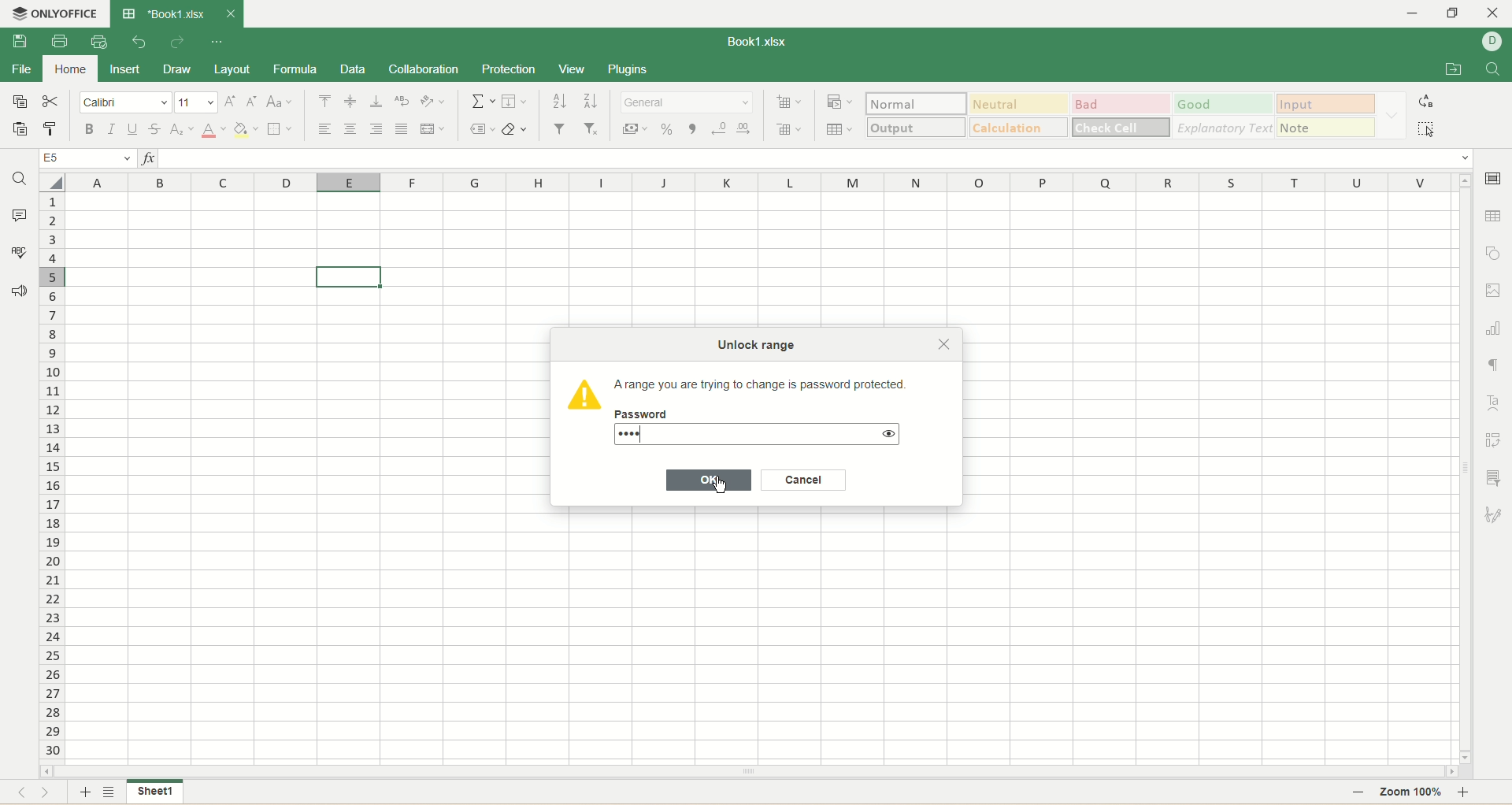 The width and height of the screenshot is (1512, 805). I want to click on comment, so click(20, 217).